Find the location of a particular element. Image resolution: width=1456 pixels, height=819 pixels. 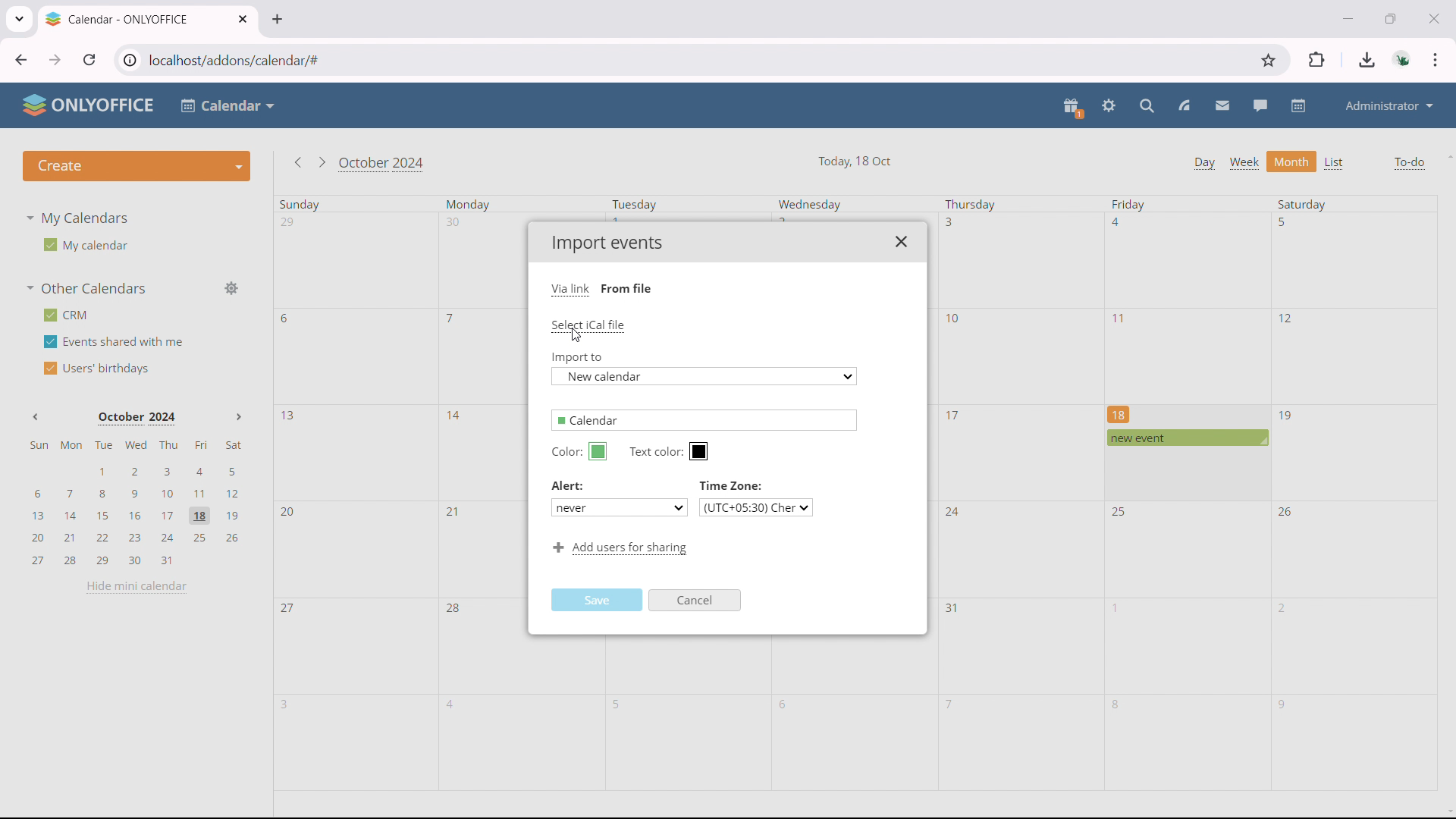

Tuesday is located at coordinates (636, 205).